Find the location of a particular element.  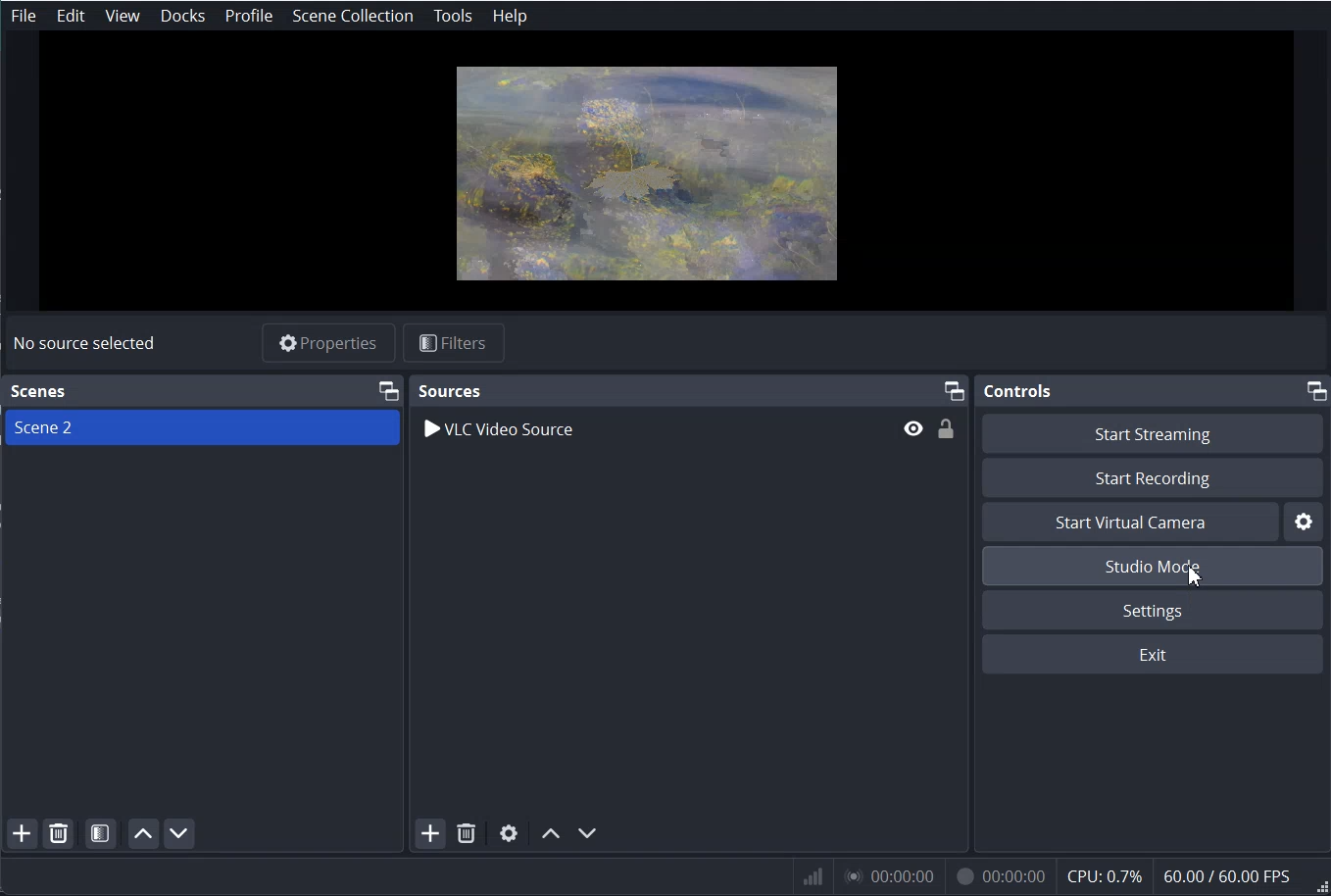

Move scene up is located at coordinates (142, 833).